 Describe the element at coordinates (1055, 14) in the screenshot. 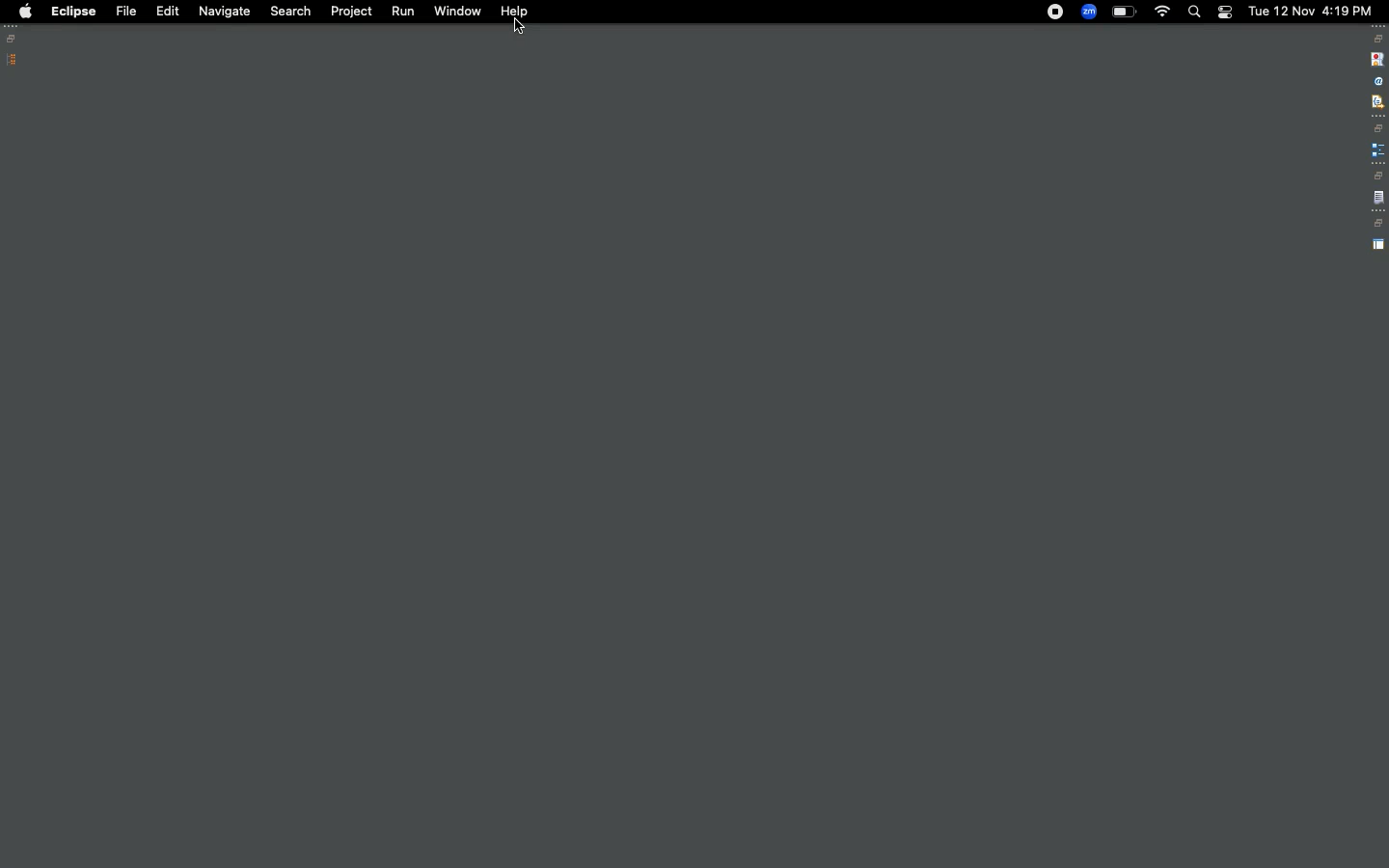

I see `Recording` at that location.